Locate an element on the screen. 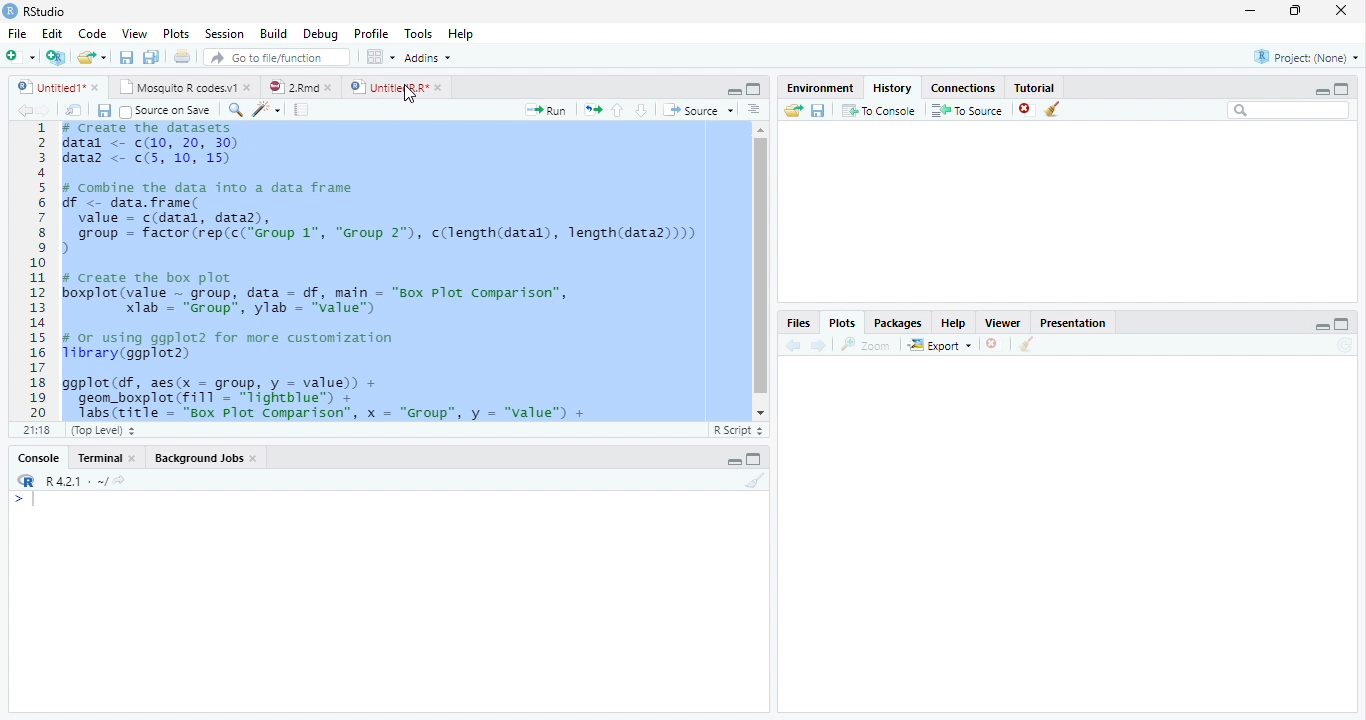 The image size is (1366, 720). Plots is located at coordinates (842, 323).